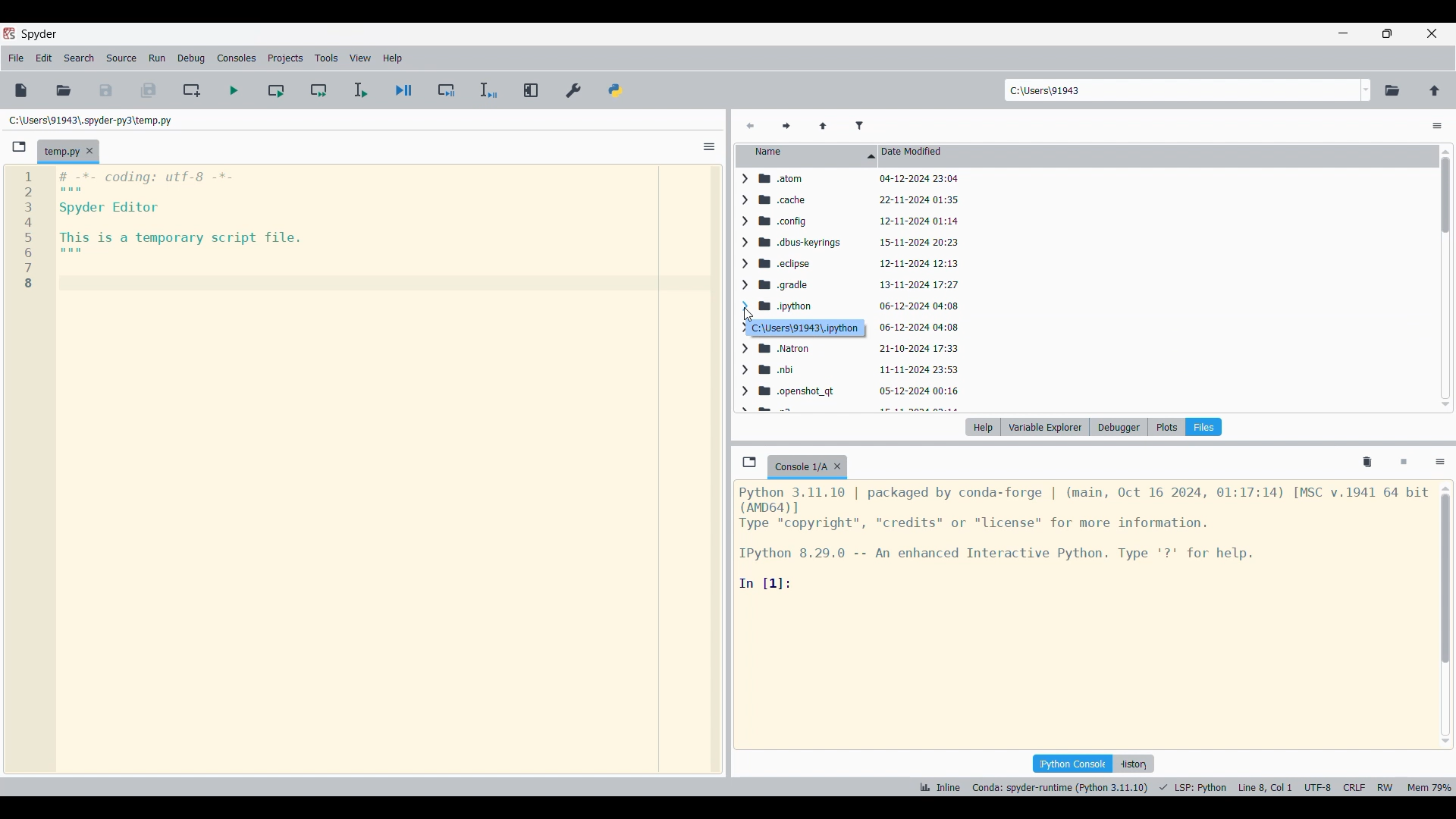 The image size is (1456, 819). Describe the element at coordinates (40, 35) in the screenshot. I see `Software name` at that location.